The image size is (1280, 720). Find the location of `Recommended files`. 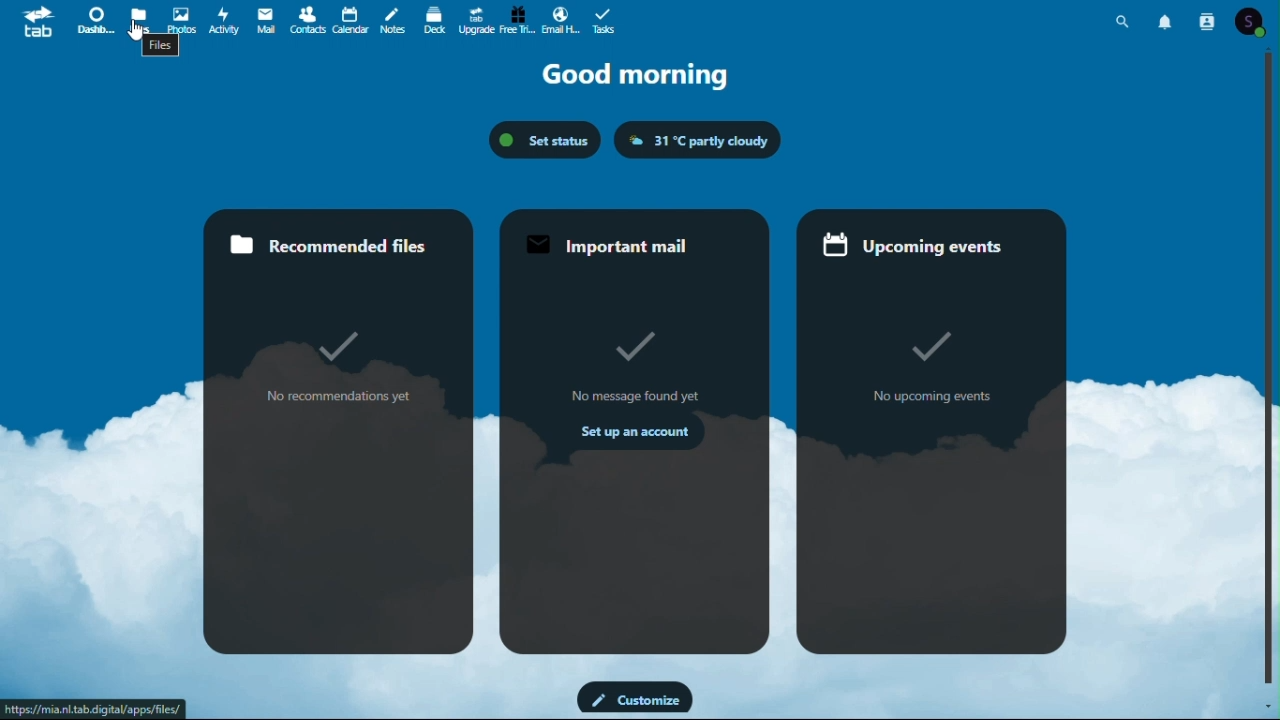

Recommended files is located at coordinates (337, 245).